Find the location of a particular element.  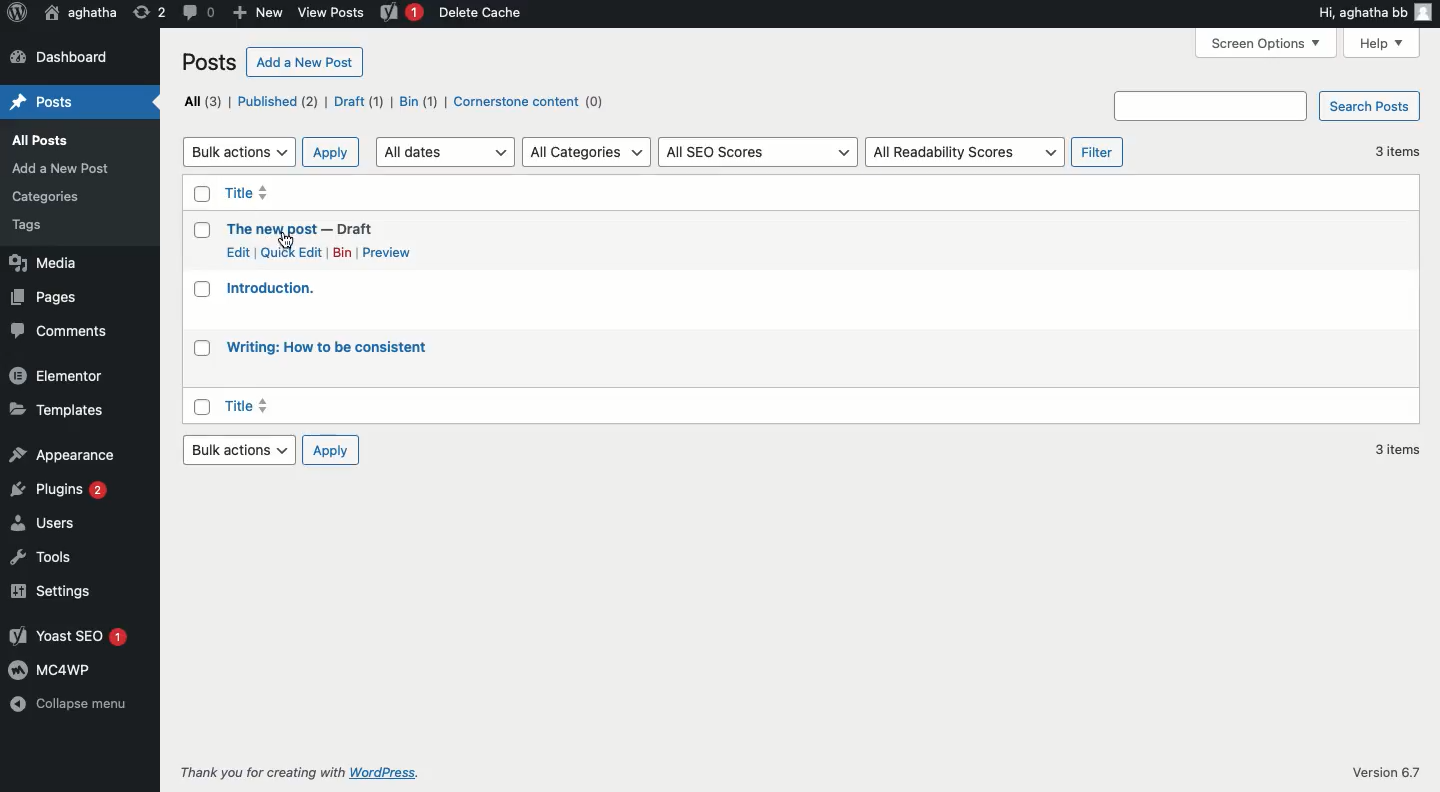

Title is located at coordinates (247, 404).